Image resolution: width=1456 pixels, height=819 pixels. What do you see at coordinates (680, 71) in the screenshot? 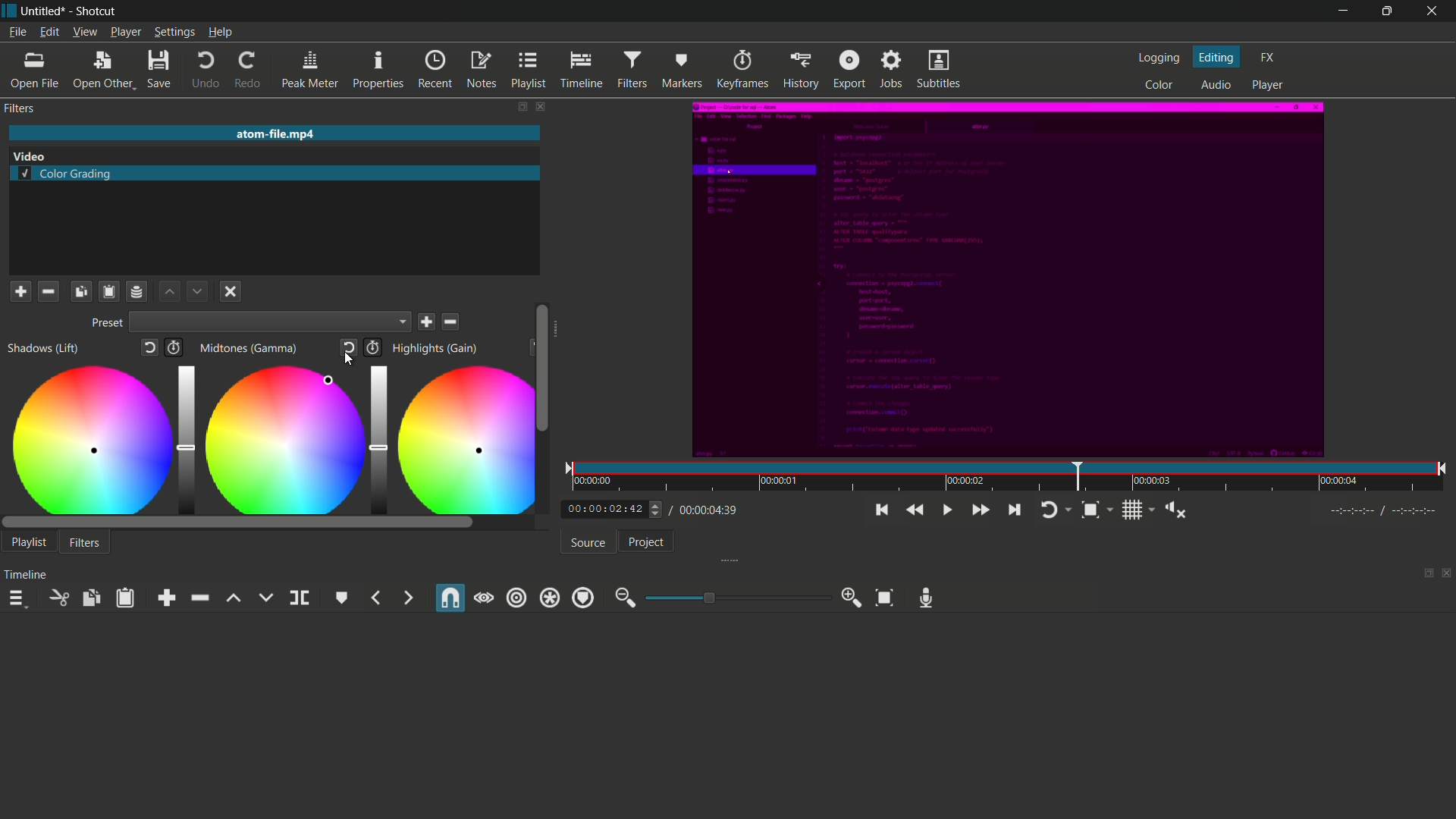
I see `markers` at bounding box center [680, 71].